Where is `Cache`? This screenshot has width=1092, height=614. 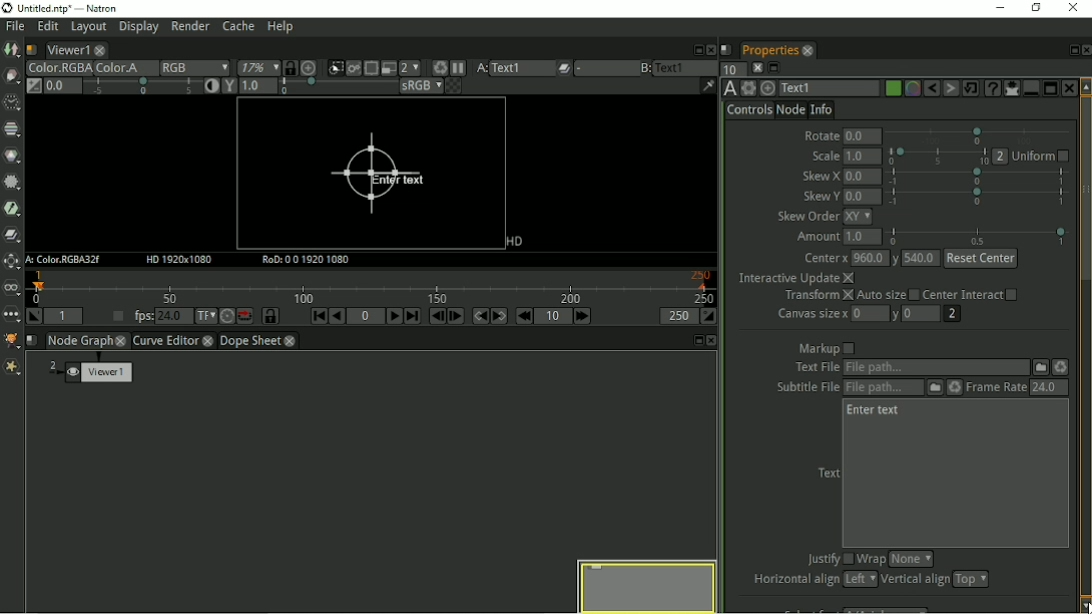 Cache is located at coordinates (238, 27).